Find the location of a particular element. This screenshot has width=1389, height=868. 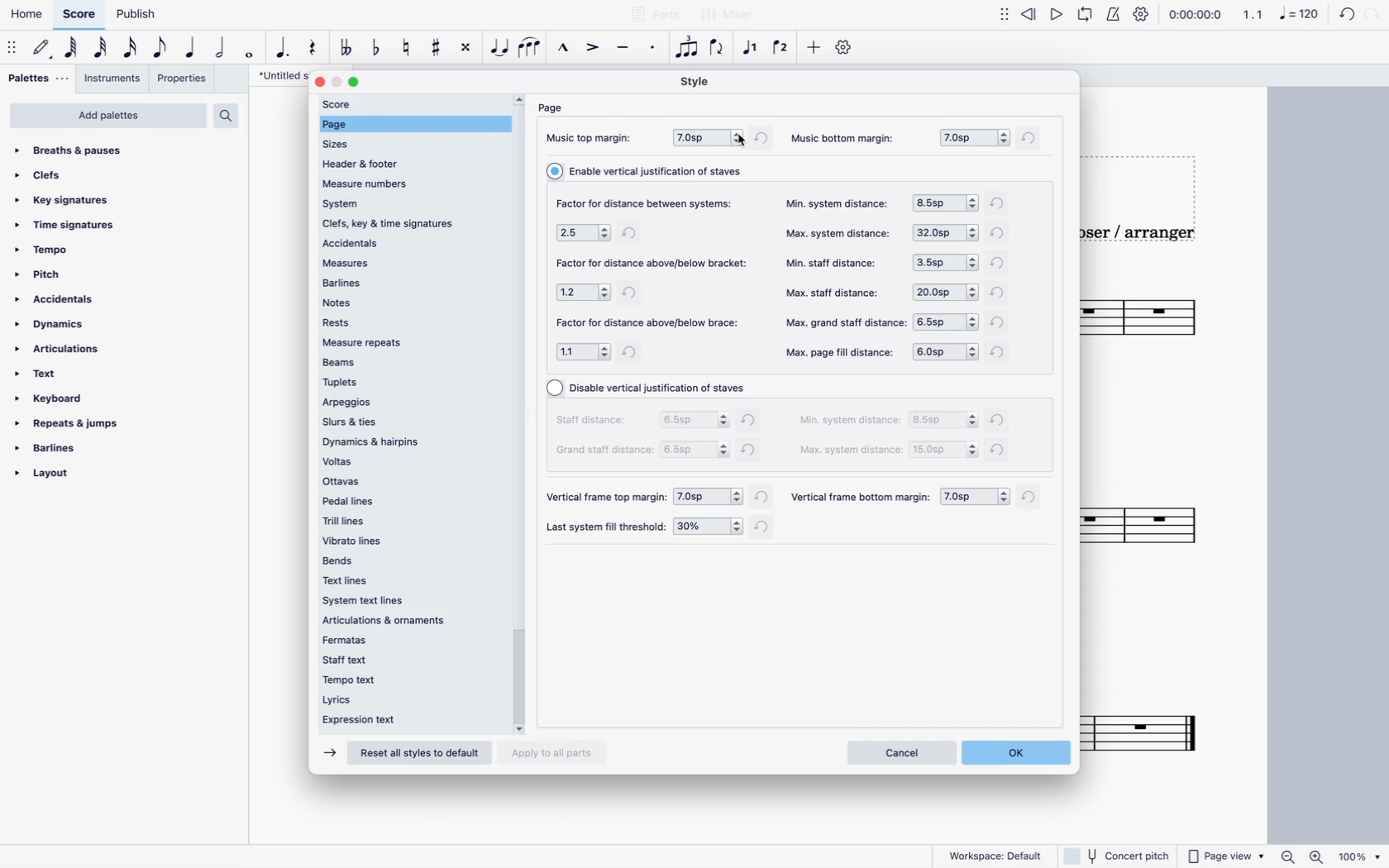

eight note is located at coordinates (160, 50).